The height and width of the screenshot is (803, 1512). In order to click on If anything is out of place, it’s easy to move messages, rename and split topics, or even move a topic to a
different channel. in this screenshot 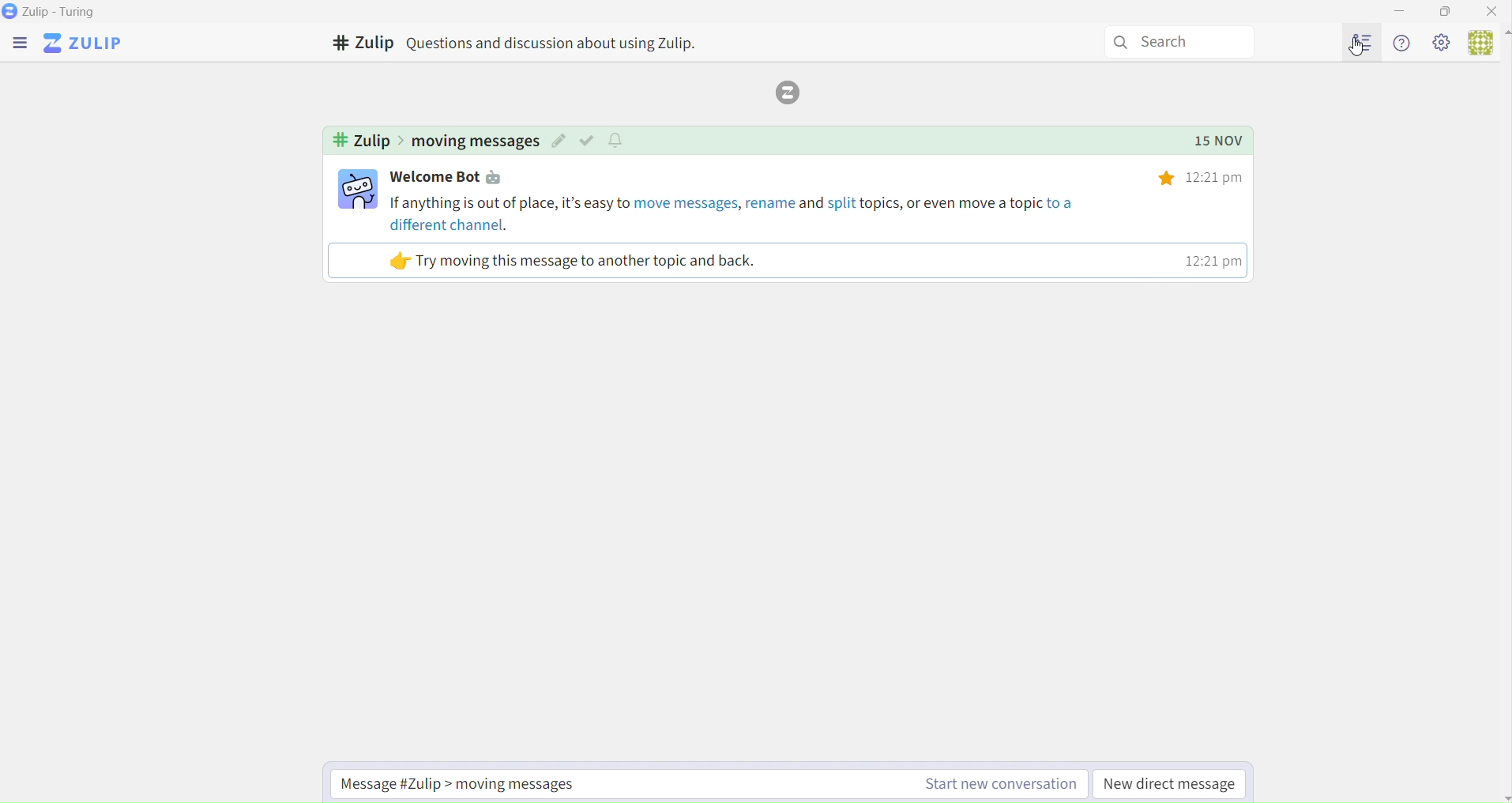, I will do `click(735, 213)`.